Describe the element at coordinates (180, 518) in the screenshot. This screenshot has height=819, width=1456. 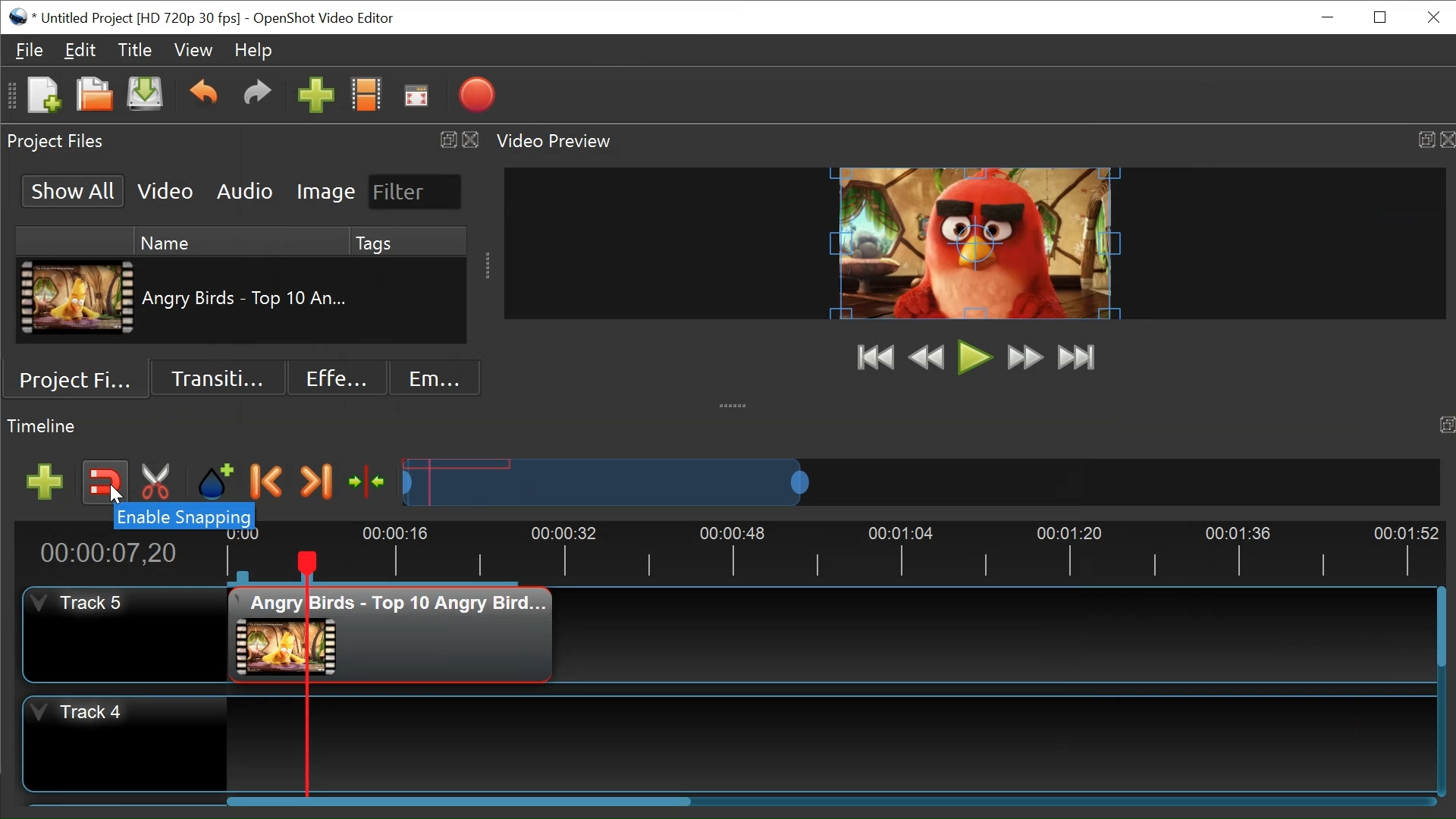
I see `Enable snapping` at that location.